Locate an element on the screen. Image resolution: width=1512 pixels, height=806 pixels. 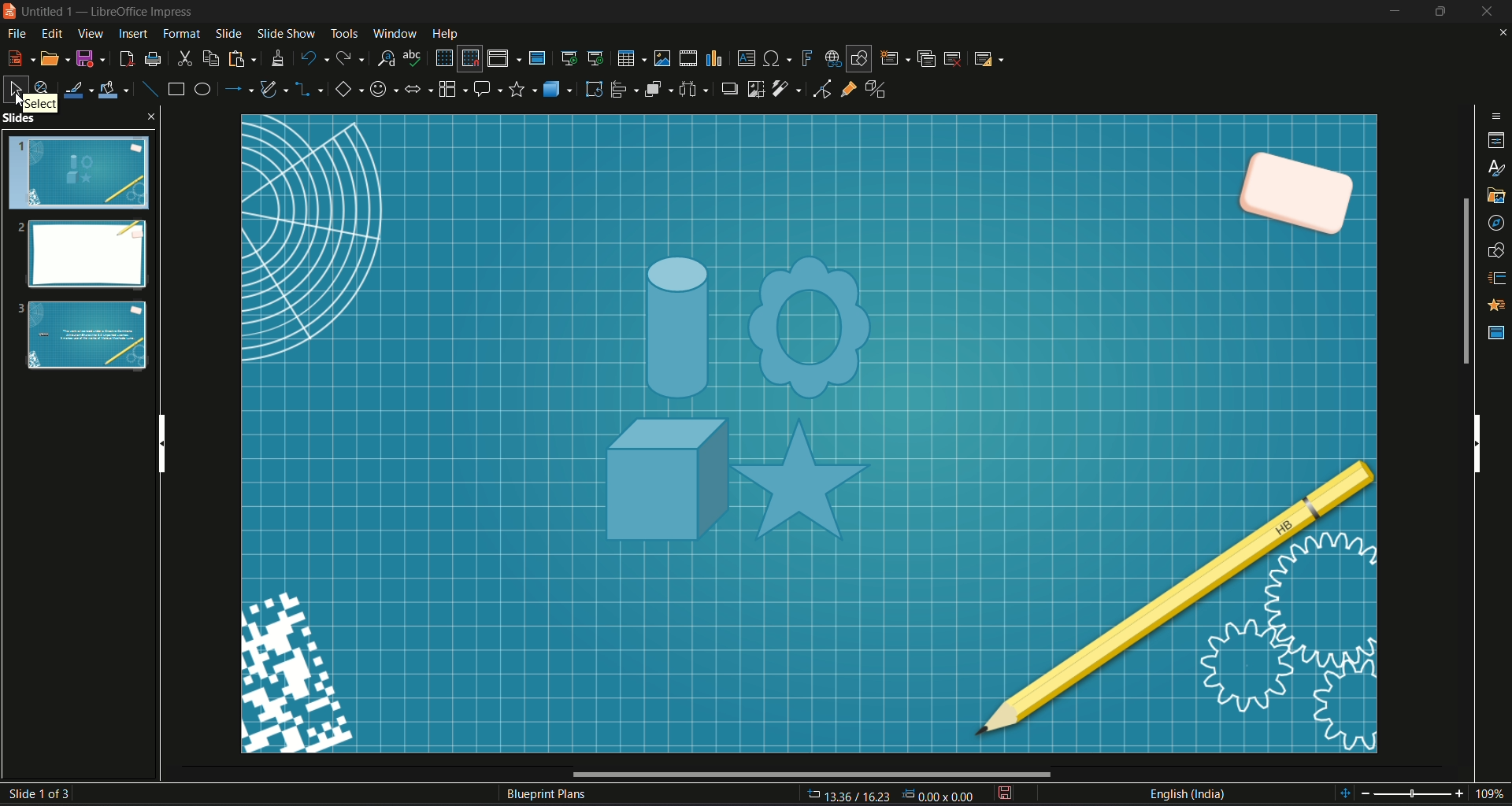
File is located at coordinates (17, 35).